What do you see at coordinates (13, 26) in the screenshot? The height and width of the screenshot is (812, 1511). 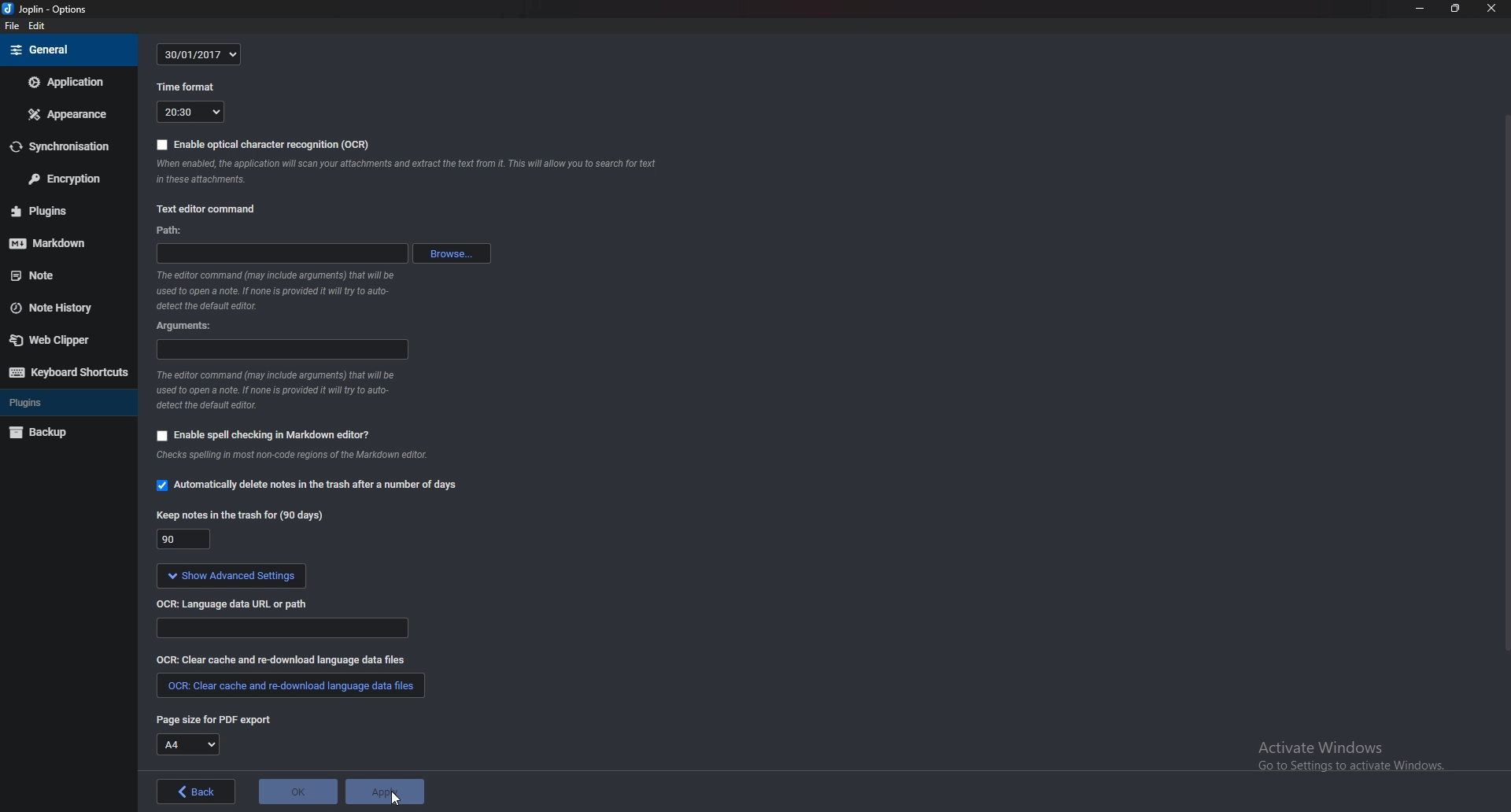 I see `file` at bounding box center [13, 26].